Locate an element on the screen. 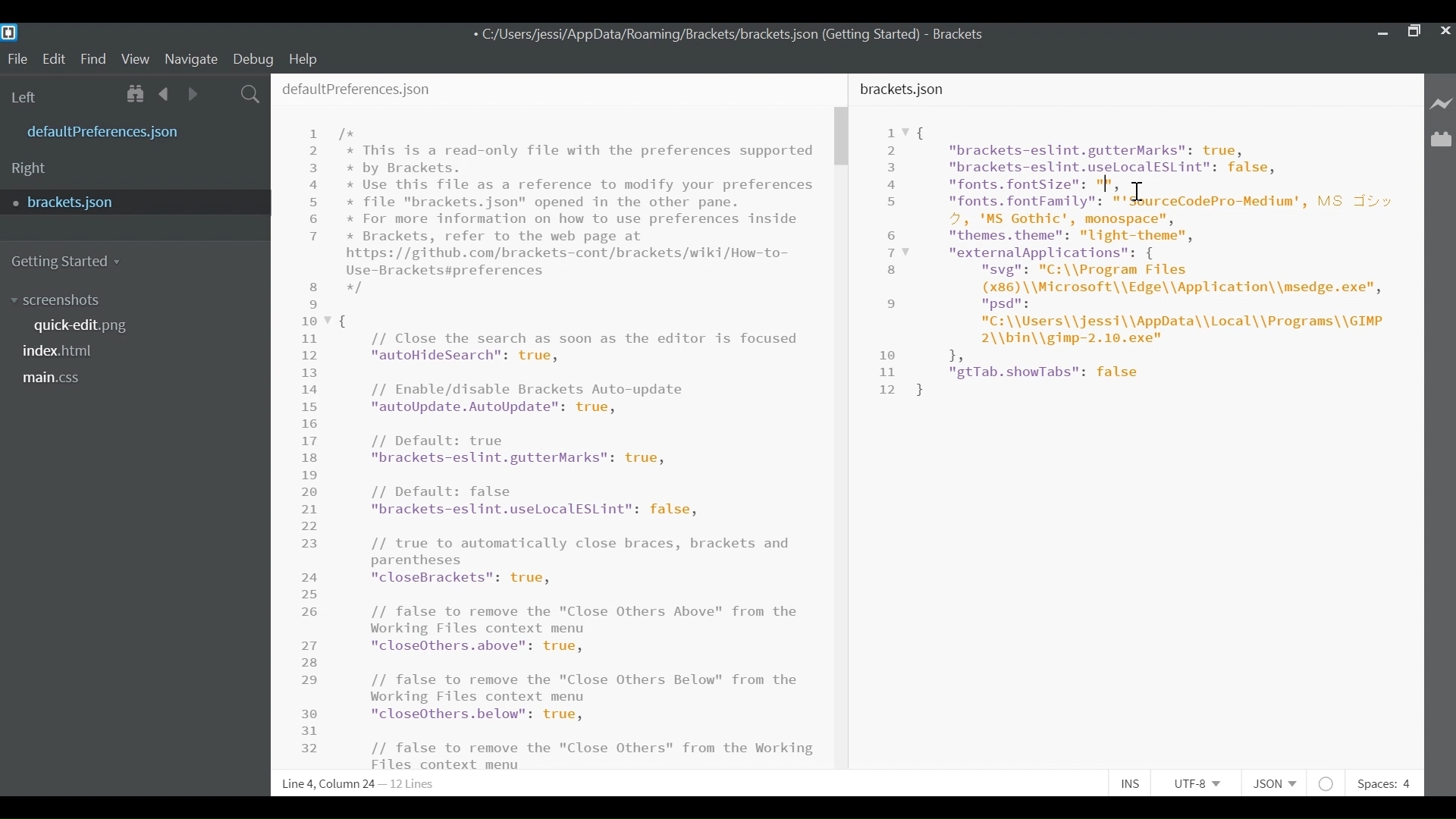 This screenshot has width=1456, height=819. File is located at coordinates (17, 60).